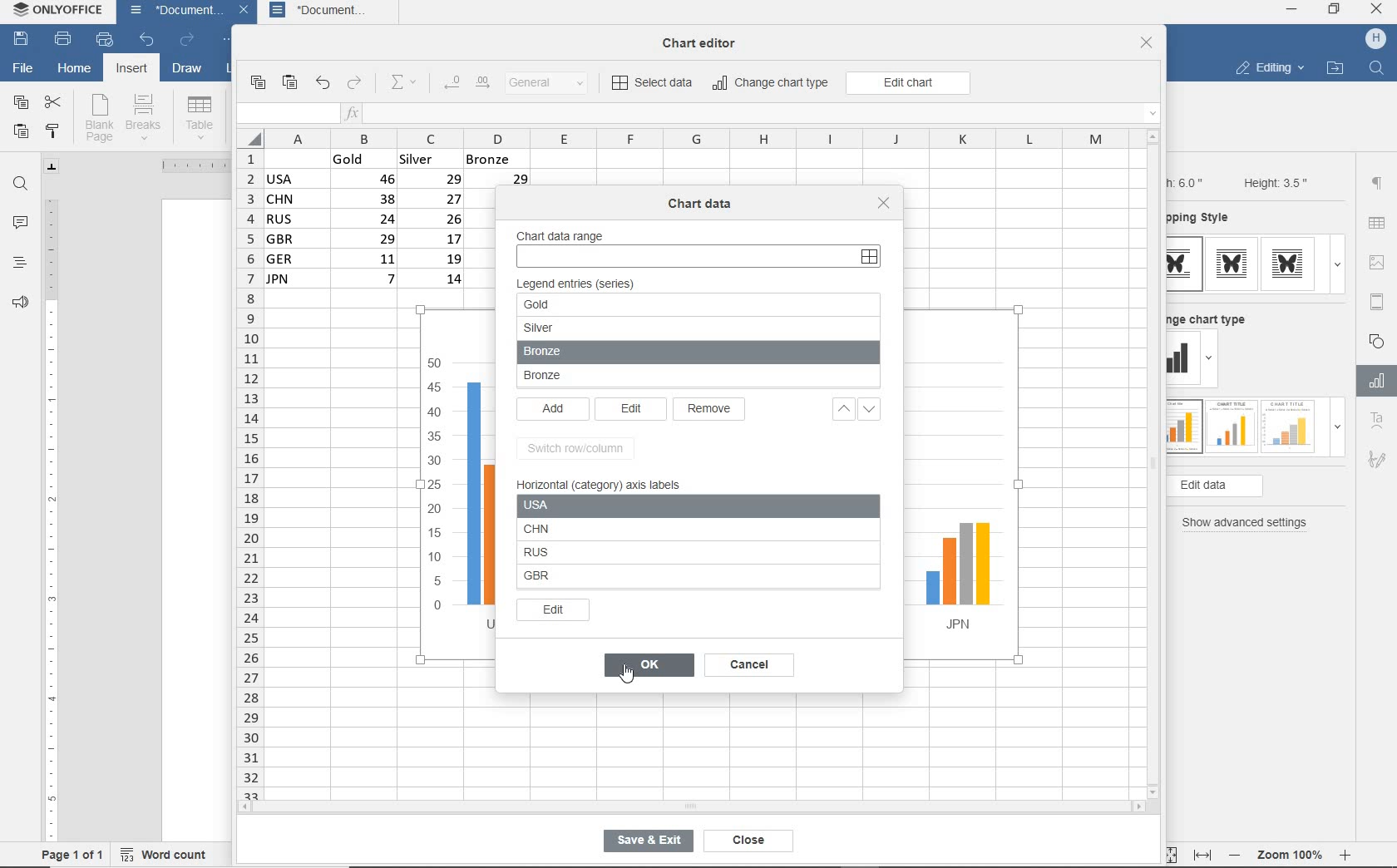 Image resolution: width=1397 pixels, height=868 pixels. I want to click on system name, so click(61, 13).